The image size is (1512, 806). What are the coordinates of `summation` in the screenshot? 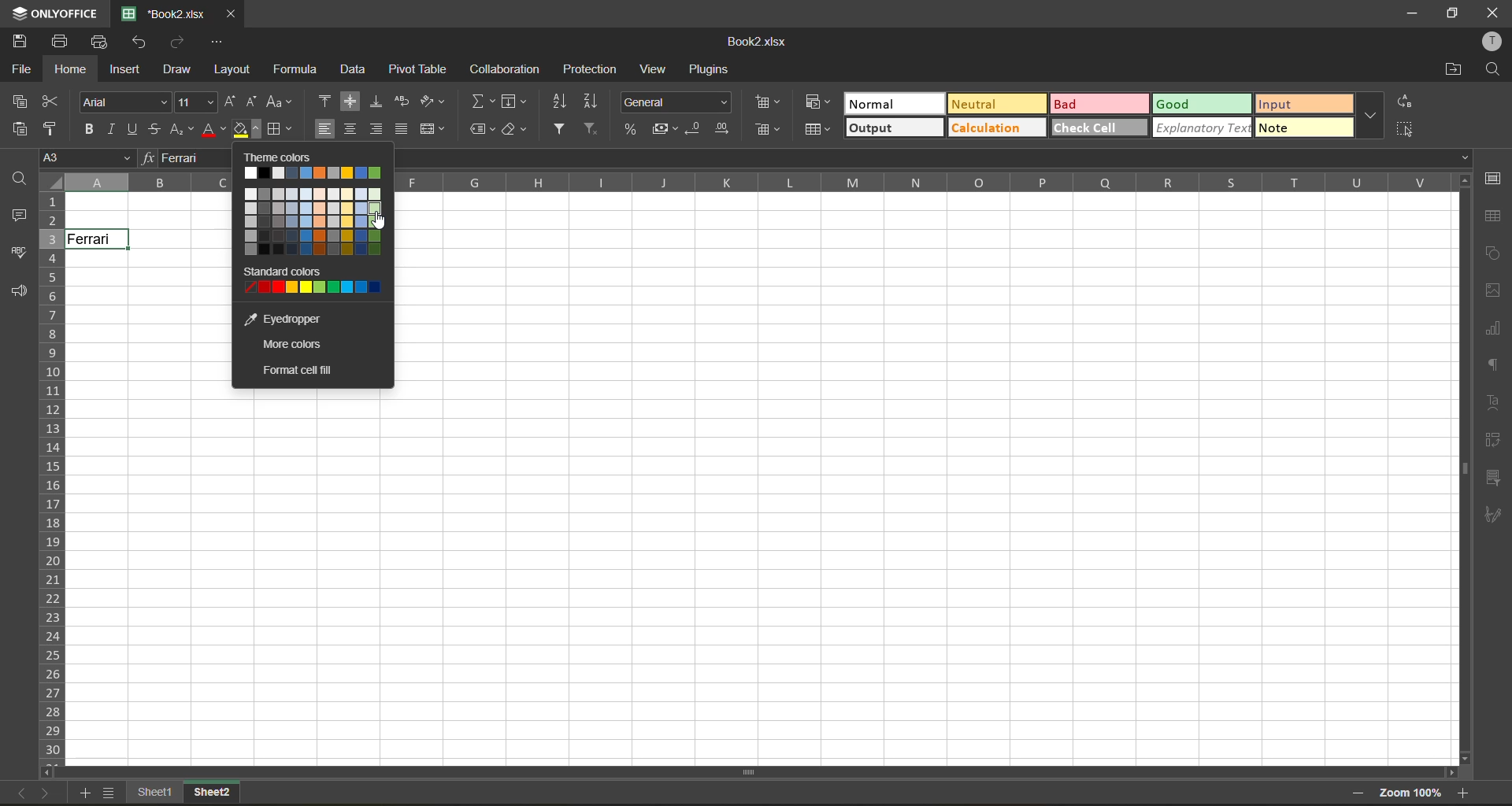 It's located at (482, 102).